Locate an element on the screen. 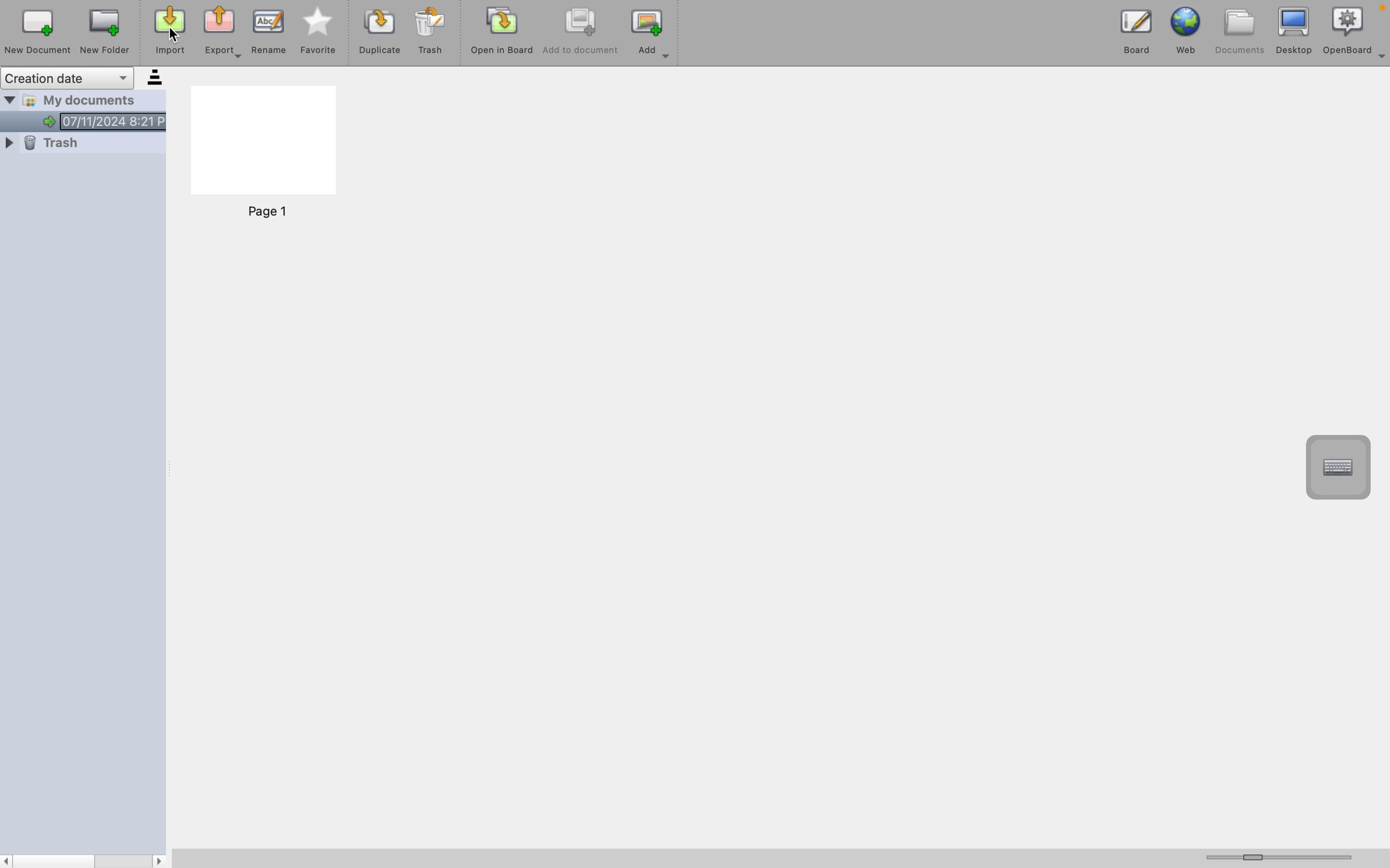 Image resolution: width=1390 pixels, height=868 pixels. more options is located at coordinates (1381, 64).